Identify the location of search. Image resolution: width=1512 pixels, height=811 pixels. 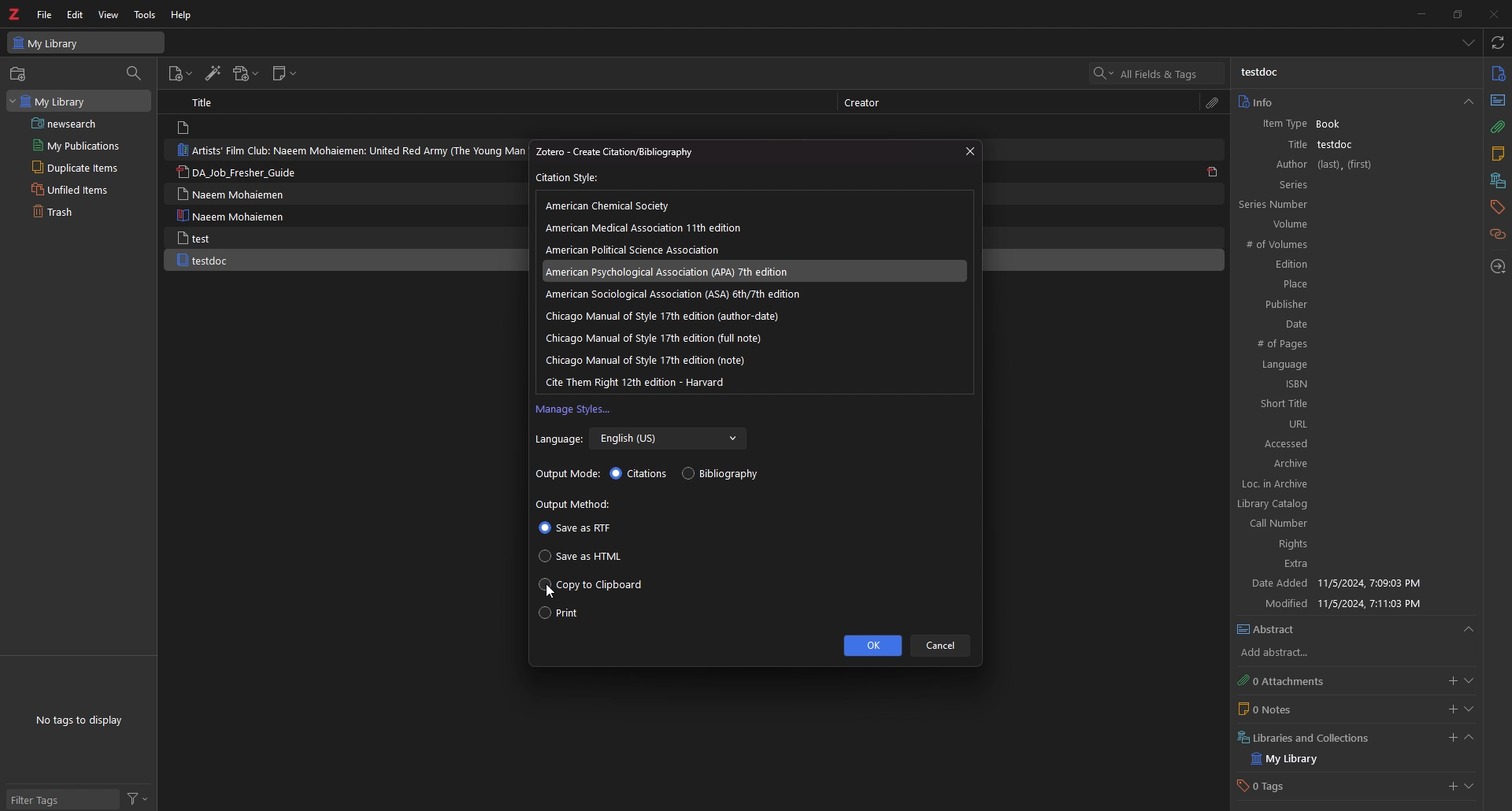
(1158, 73).